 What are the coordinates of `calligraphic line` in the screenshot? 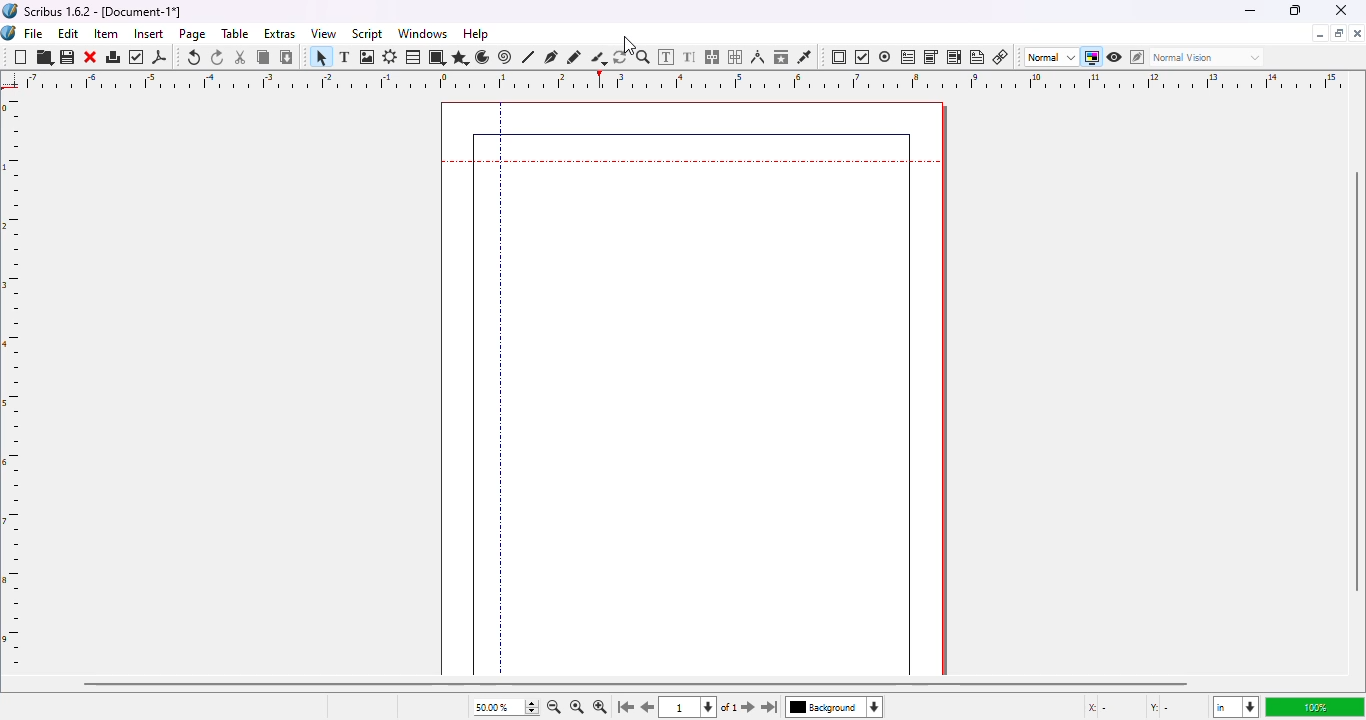 It's located at (598, 58).